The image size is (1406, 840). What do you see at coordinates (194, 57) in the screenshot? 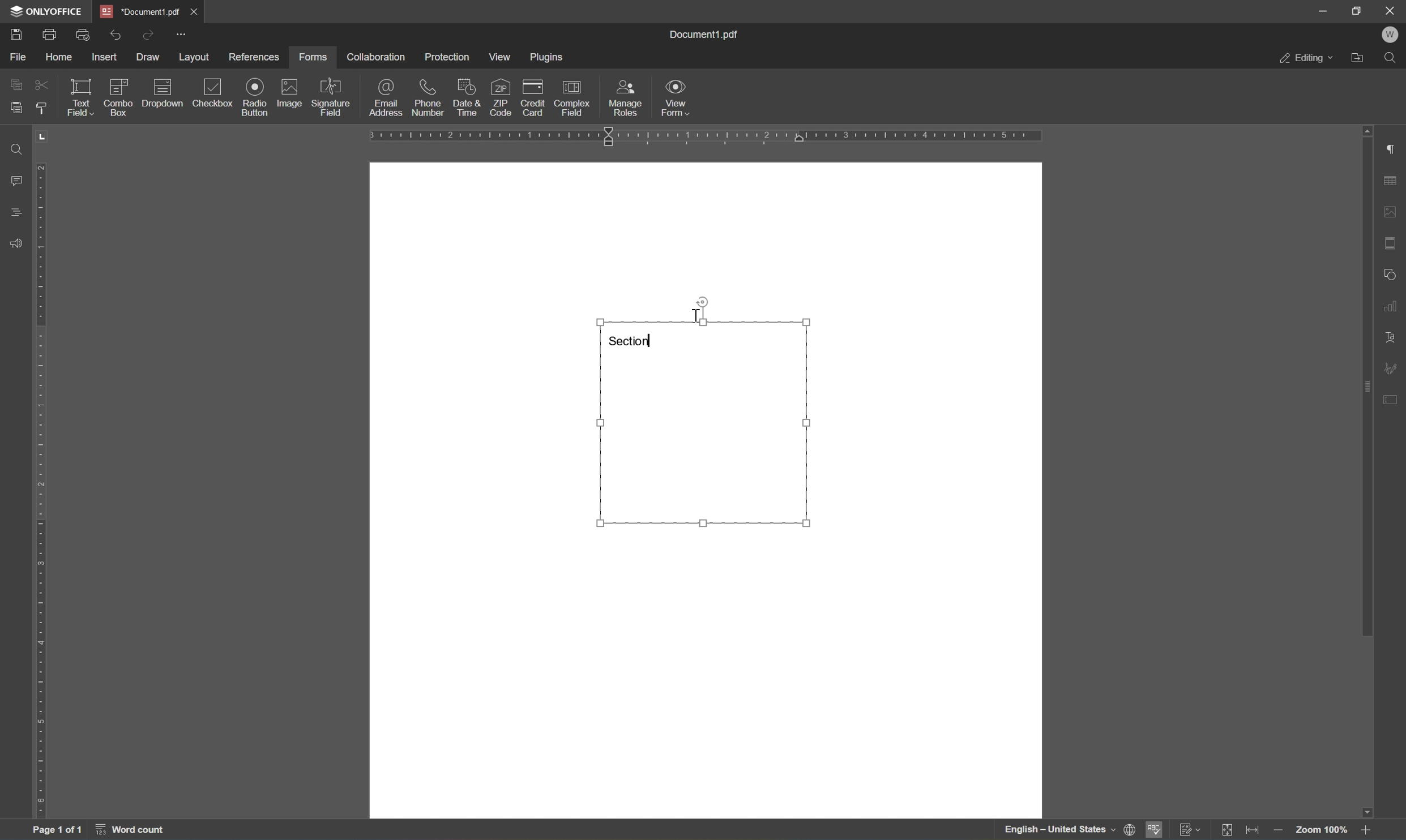
I see `layout` at bounding box center [194, 57].